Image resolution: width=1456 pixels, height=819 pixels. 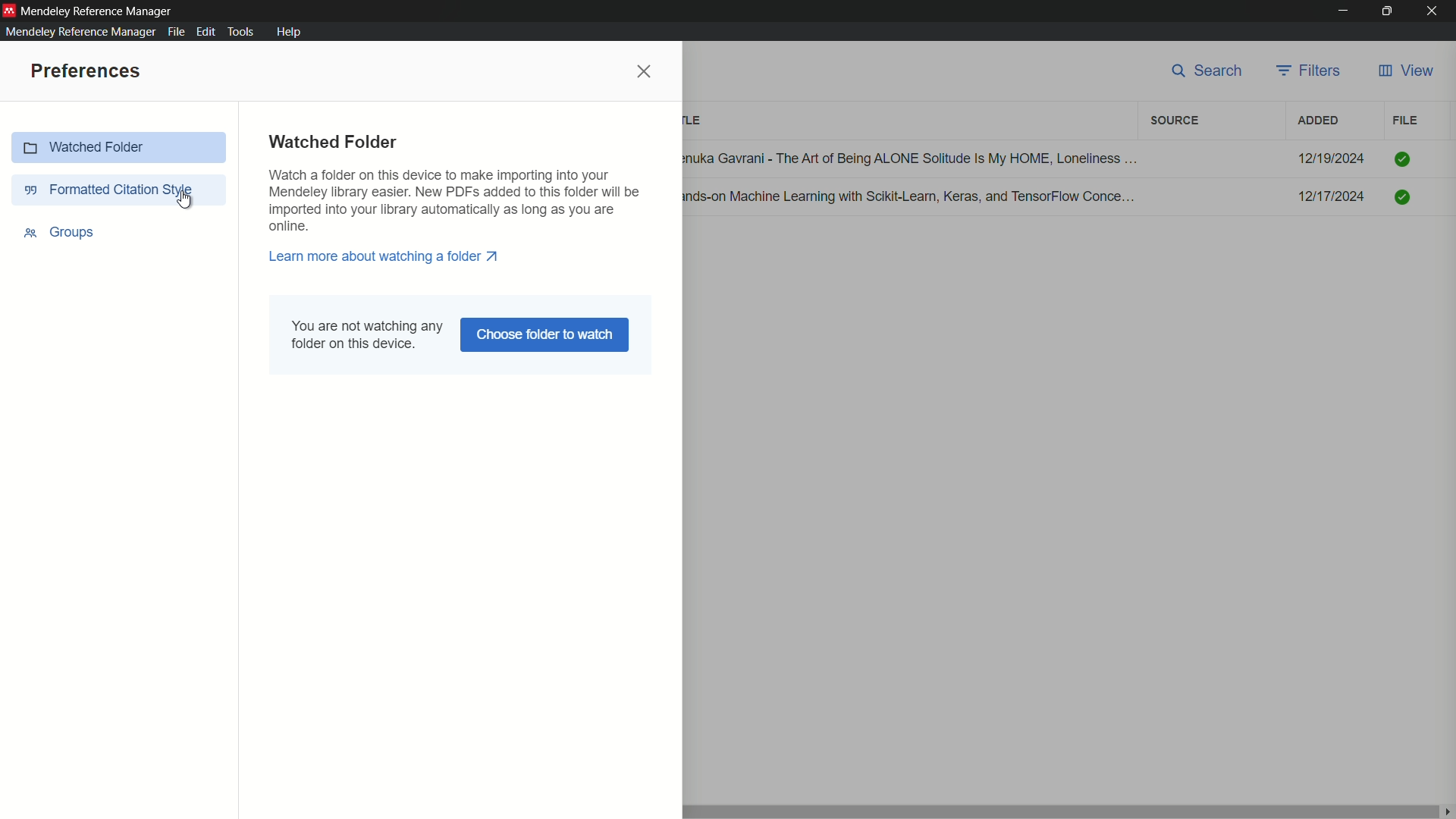 What do you see at coordinates (645, 72) in the screenshot?
I see `close preferences` at bounding box center [645, 72].